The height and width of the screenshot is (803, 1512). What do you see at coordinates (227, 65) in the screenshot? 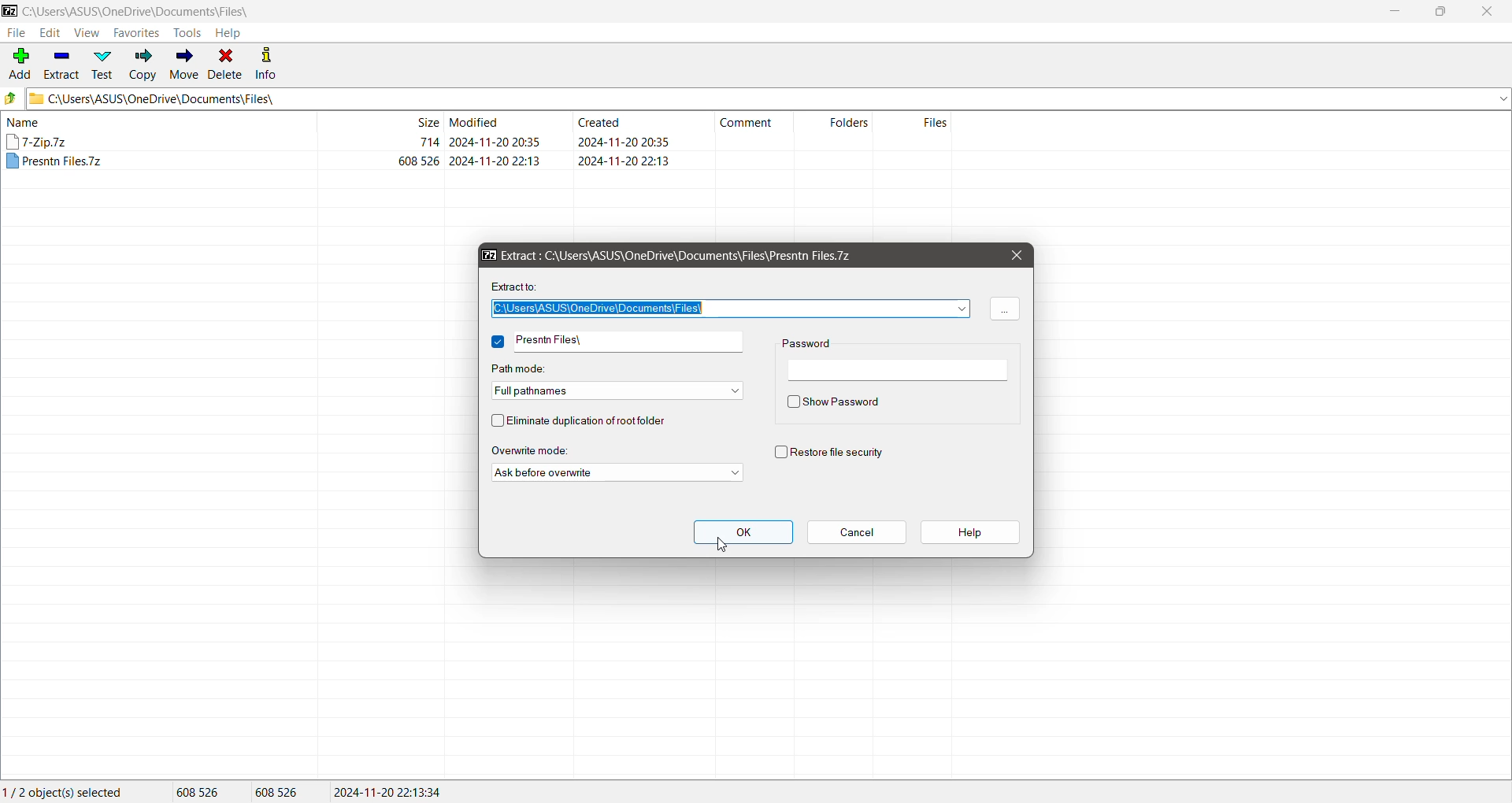
I see `Delete` at bounding box center [227, 65].